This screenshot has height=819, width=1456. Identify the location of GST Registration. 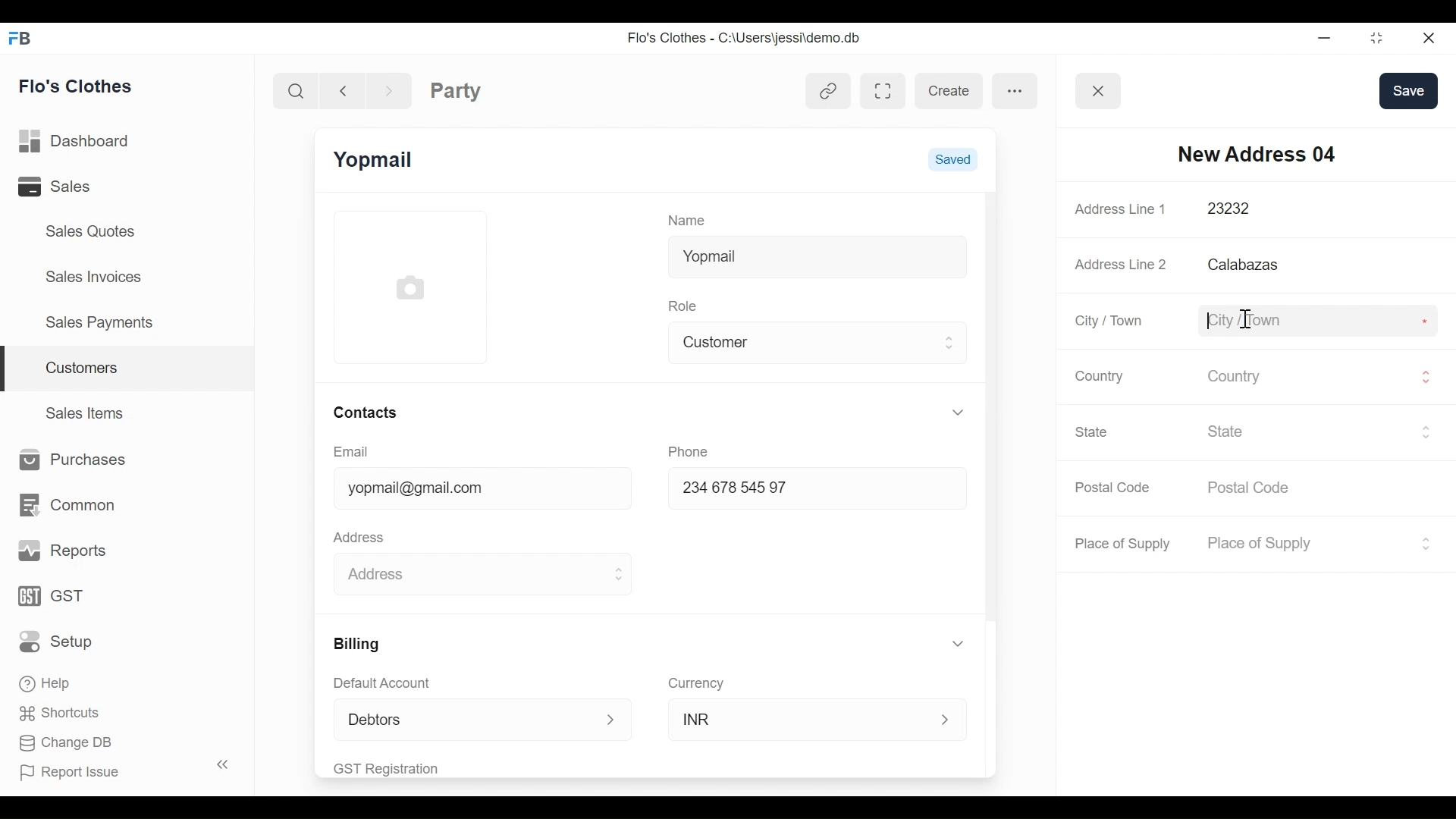
(405, 768).